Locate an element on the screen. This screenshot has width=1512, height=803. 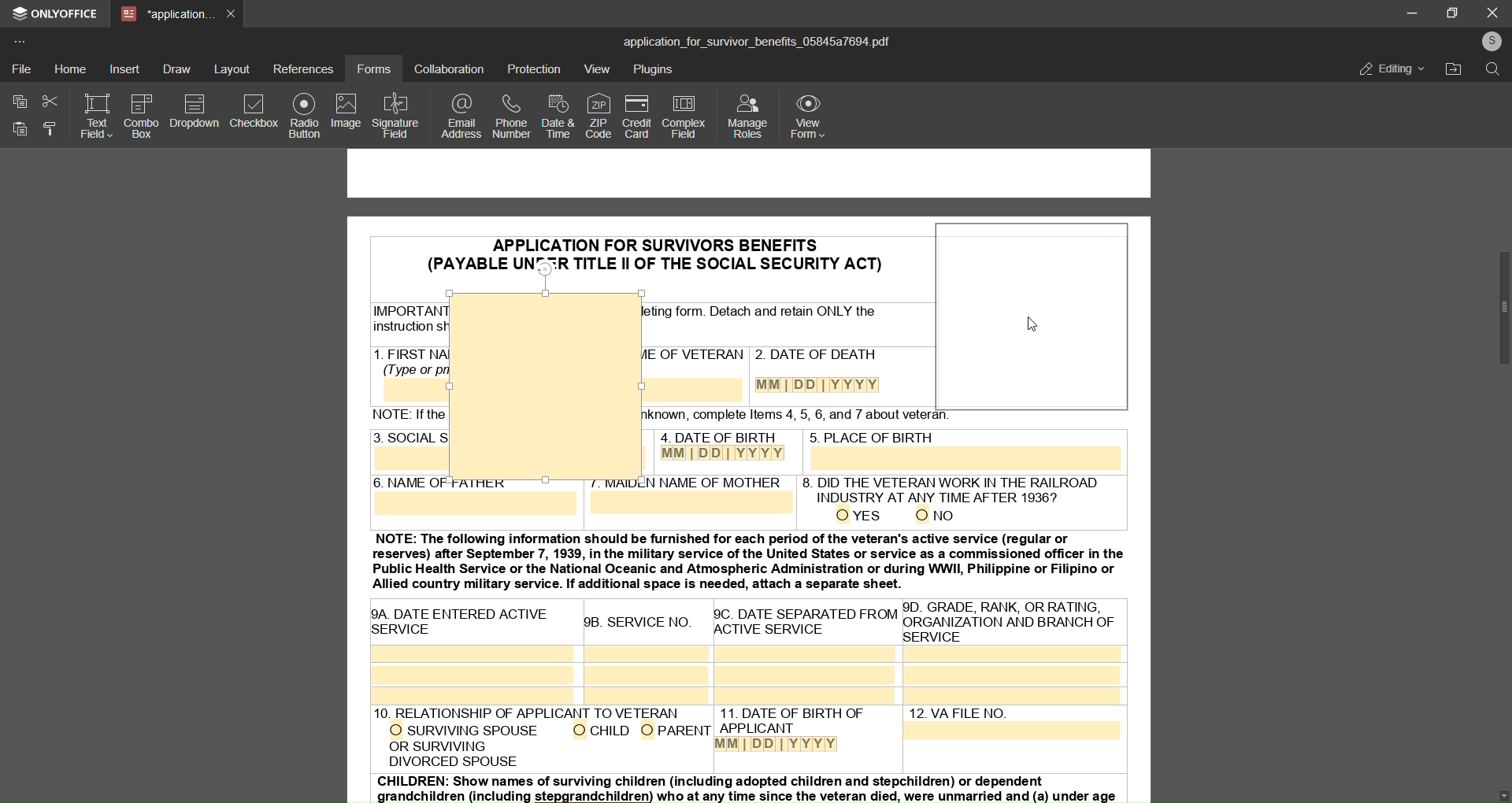
text field is located at coordinates (94, 117).